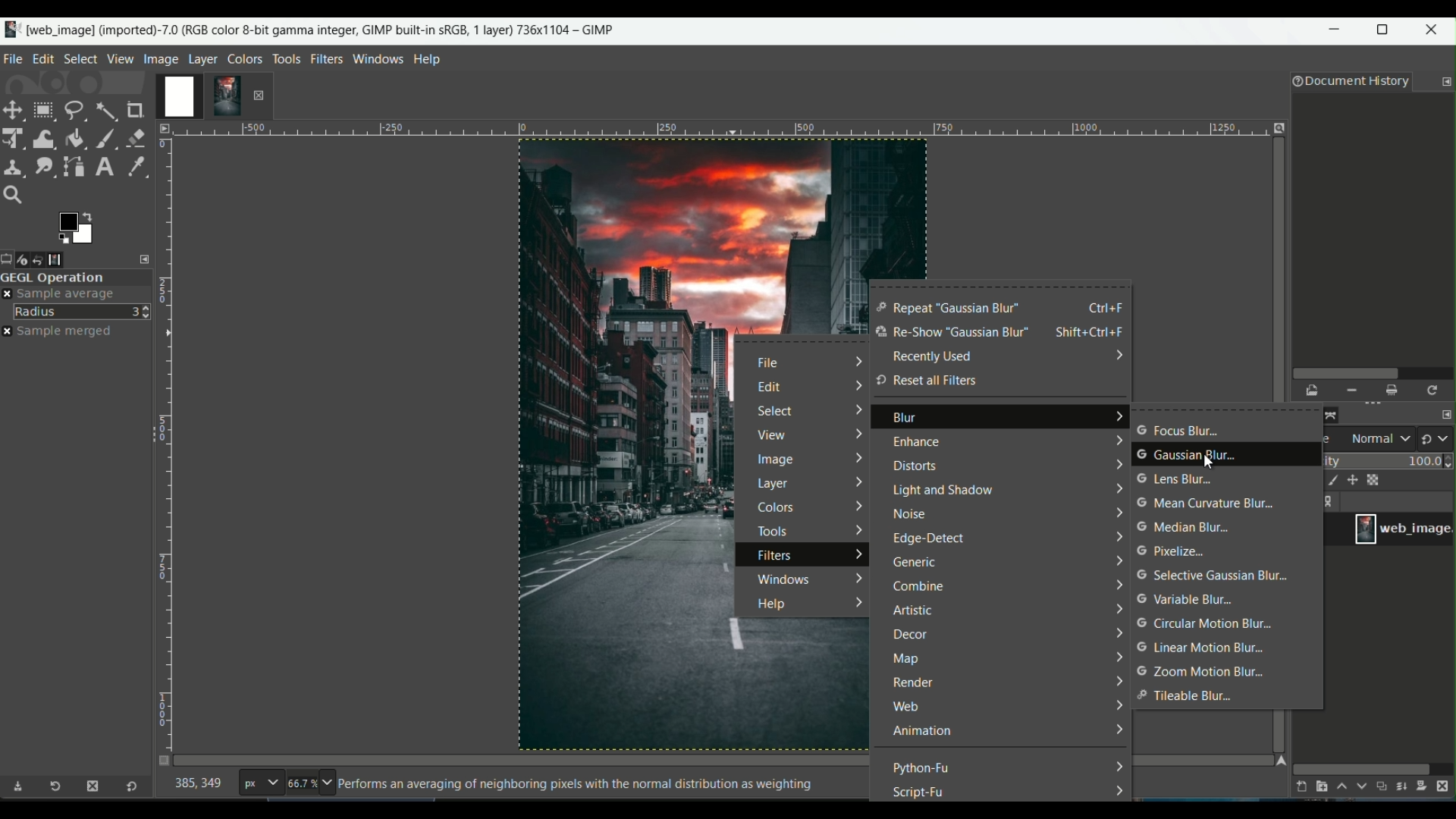 This screenshot has width=1456, height=819. Describe the element at coordinates (92, 786) in the screenshot. I see `delete tool preset` at that location.